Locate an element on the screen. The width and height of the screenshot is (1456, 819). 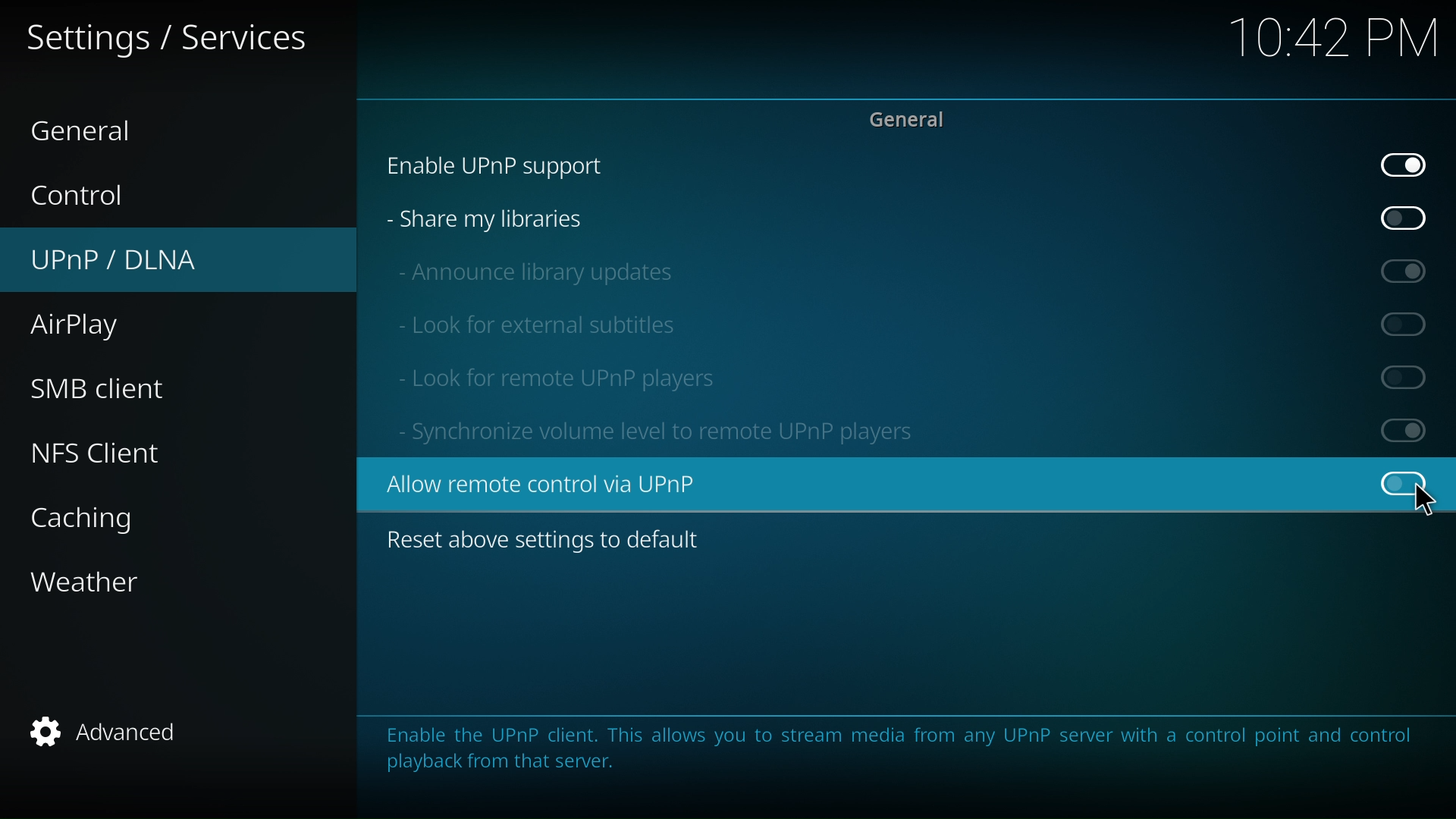
advanced is located at coordinates (94, 732).